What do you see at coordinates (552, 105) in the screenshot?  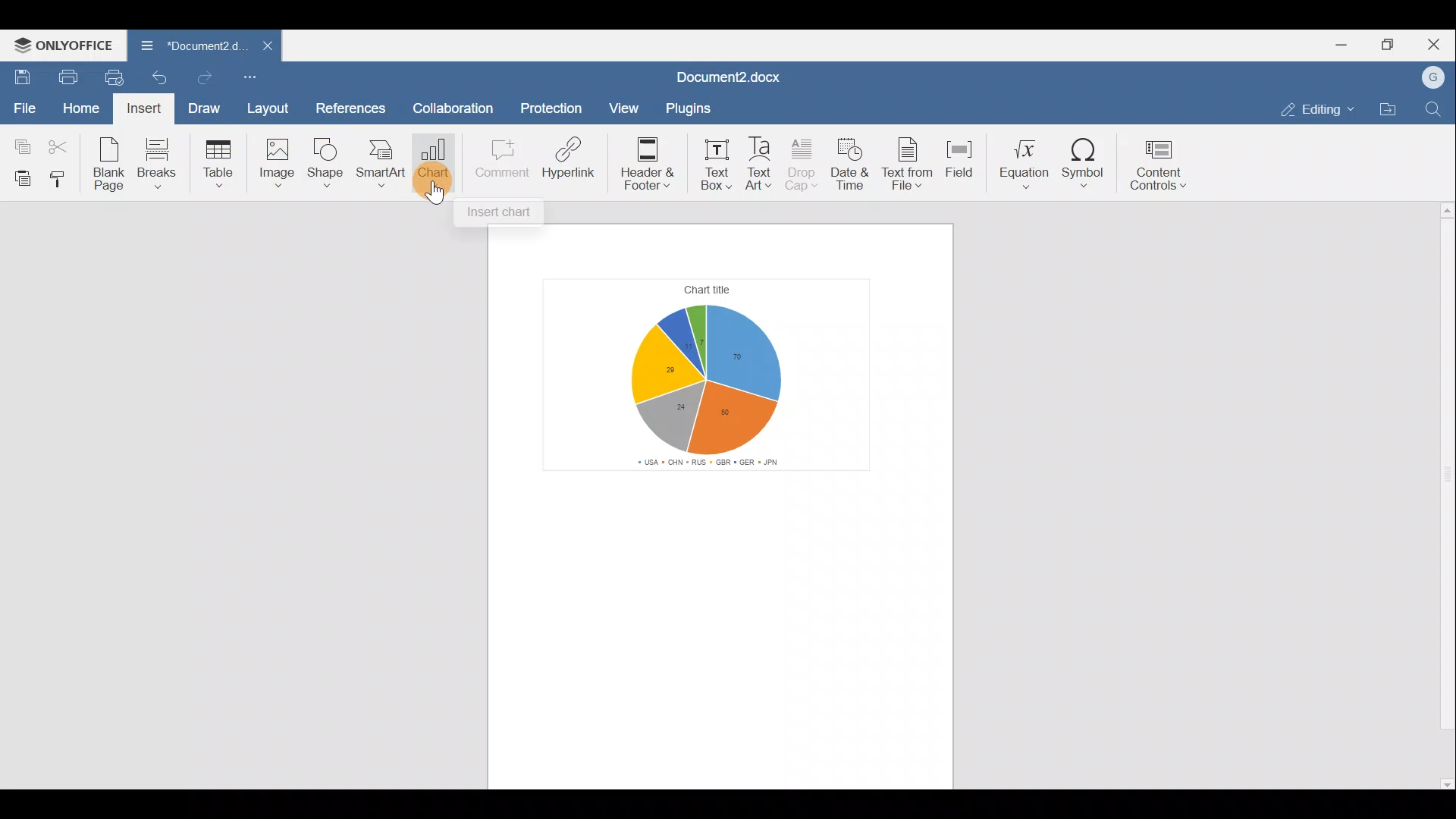 I see `Protection` at bounding box center [552, 105].